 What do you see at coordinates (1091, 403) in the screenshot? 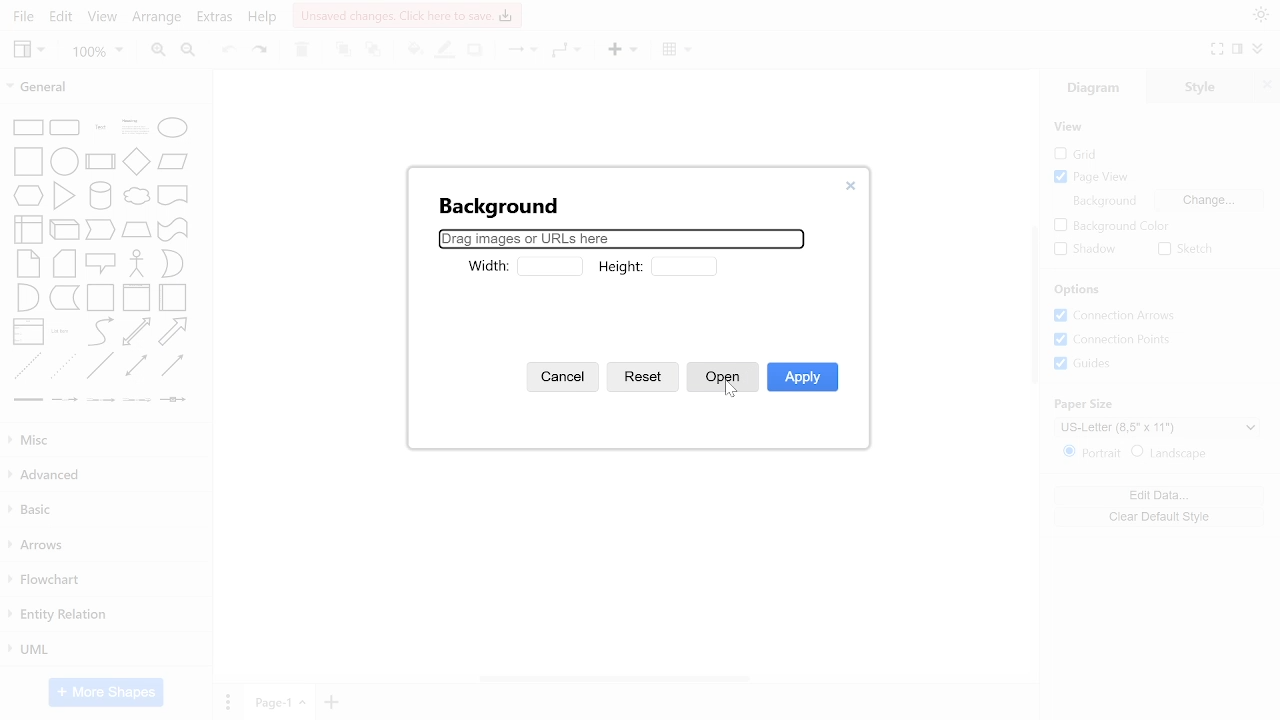
I see `Paper Size` at bounding box center [1091, 403].